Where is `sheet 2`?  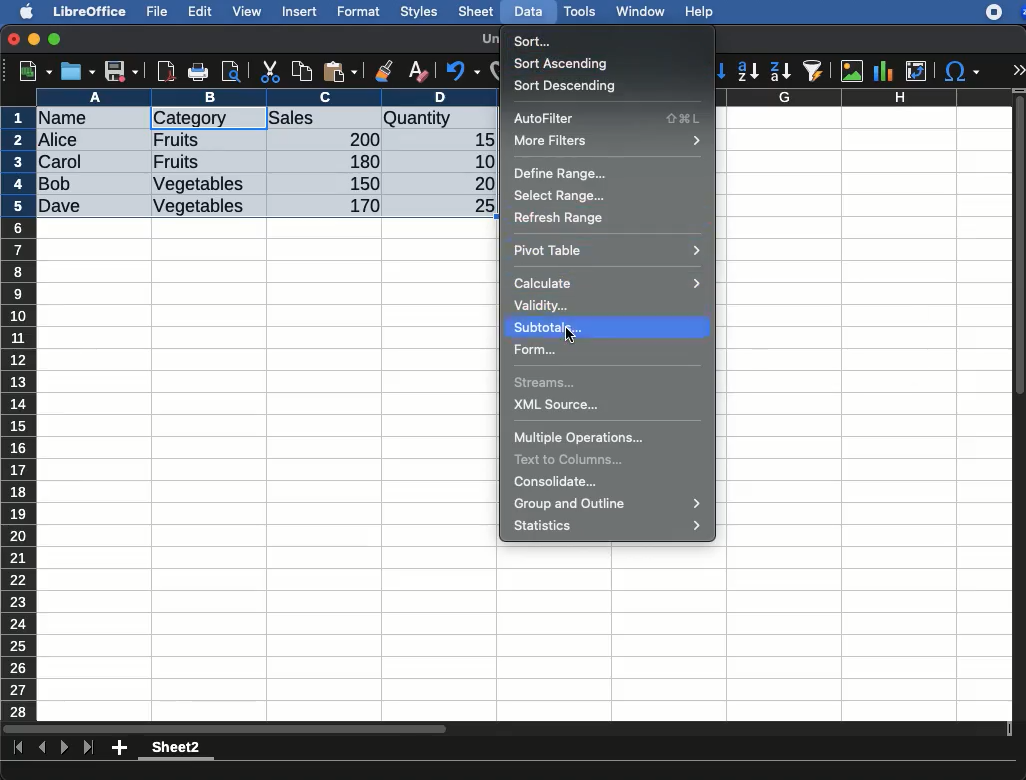
sheet 2 is located at coordinates (176, 750).